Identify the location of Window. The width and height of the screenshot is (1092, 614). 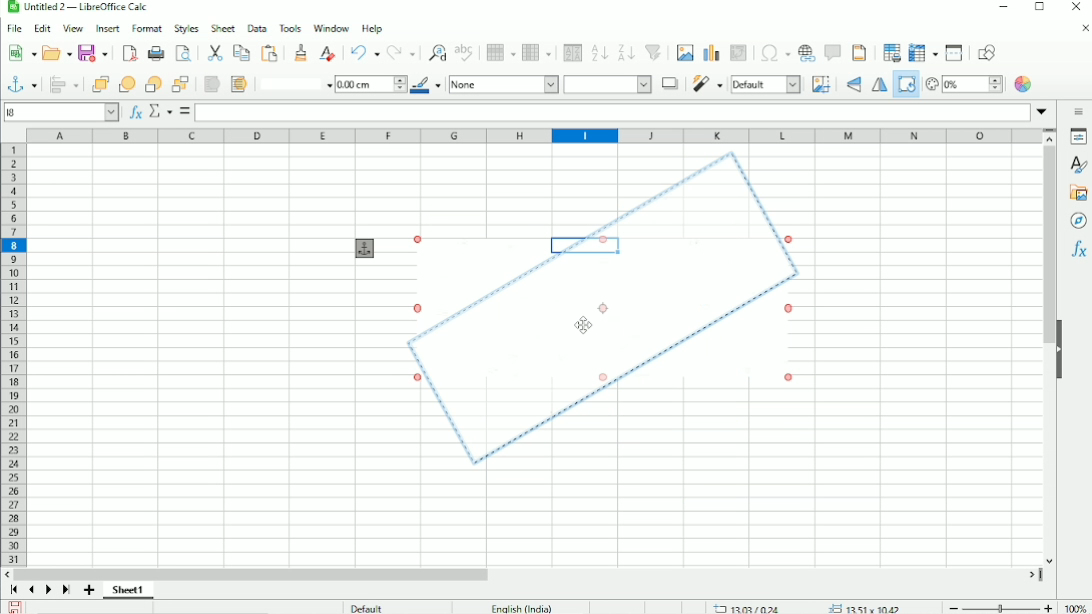
(331, 26).